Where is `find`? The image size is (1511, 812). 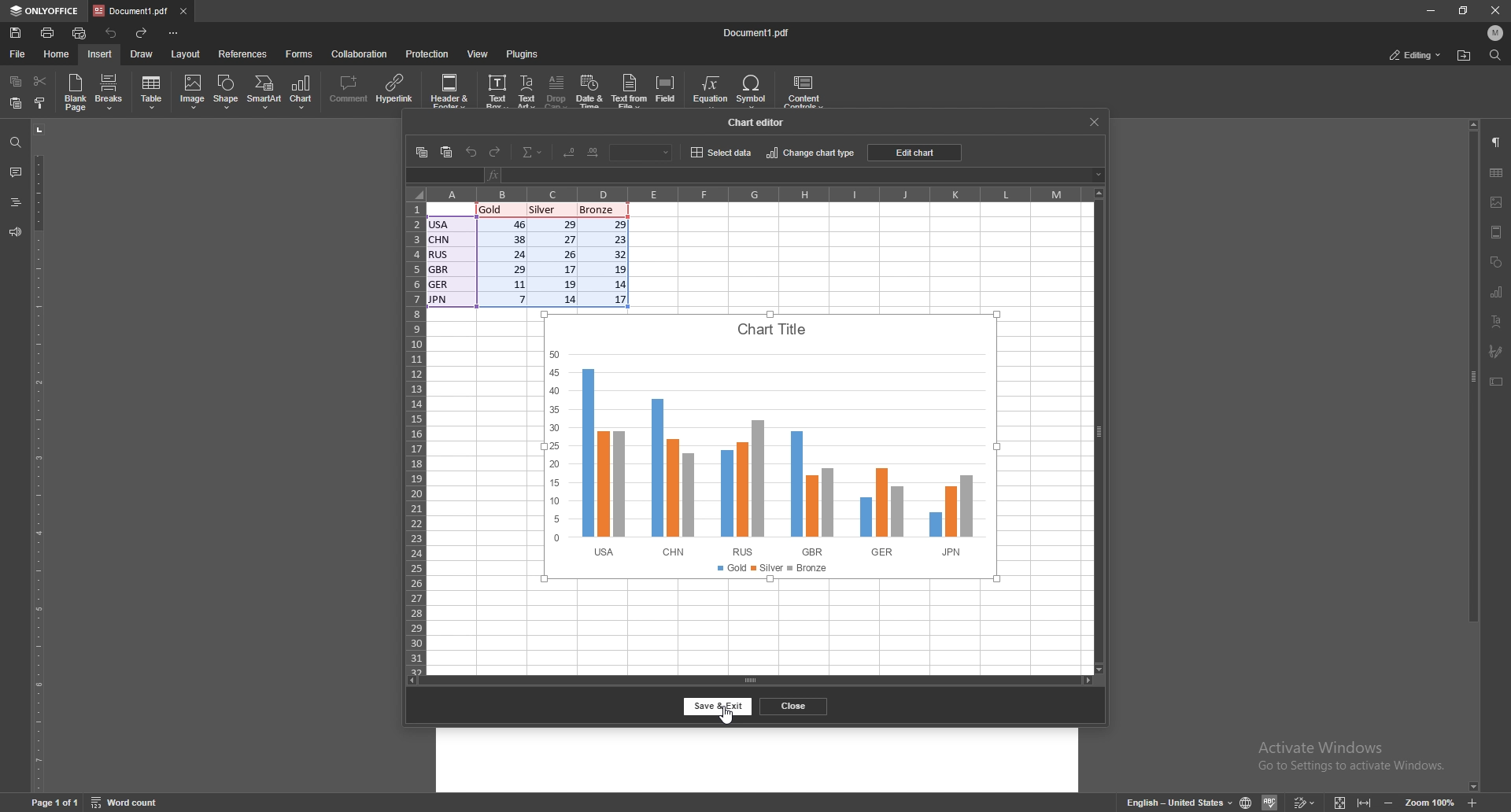
find is located at coordinates (1496, 56).